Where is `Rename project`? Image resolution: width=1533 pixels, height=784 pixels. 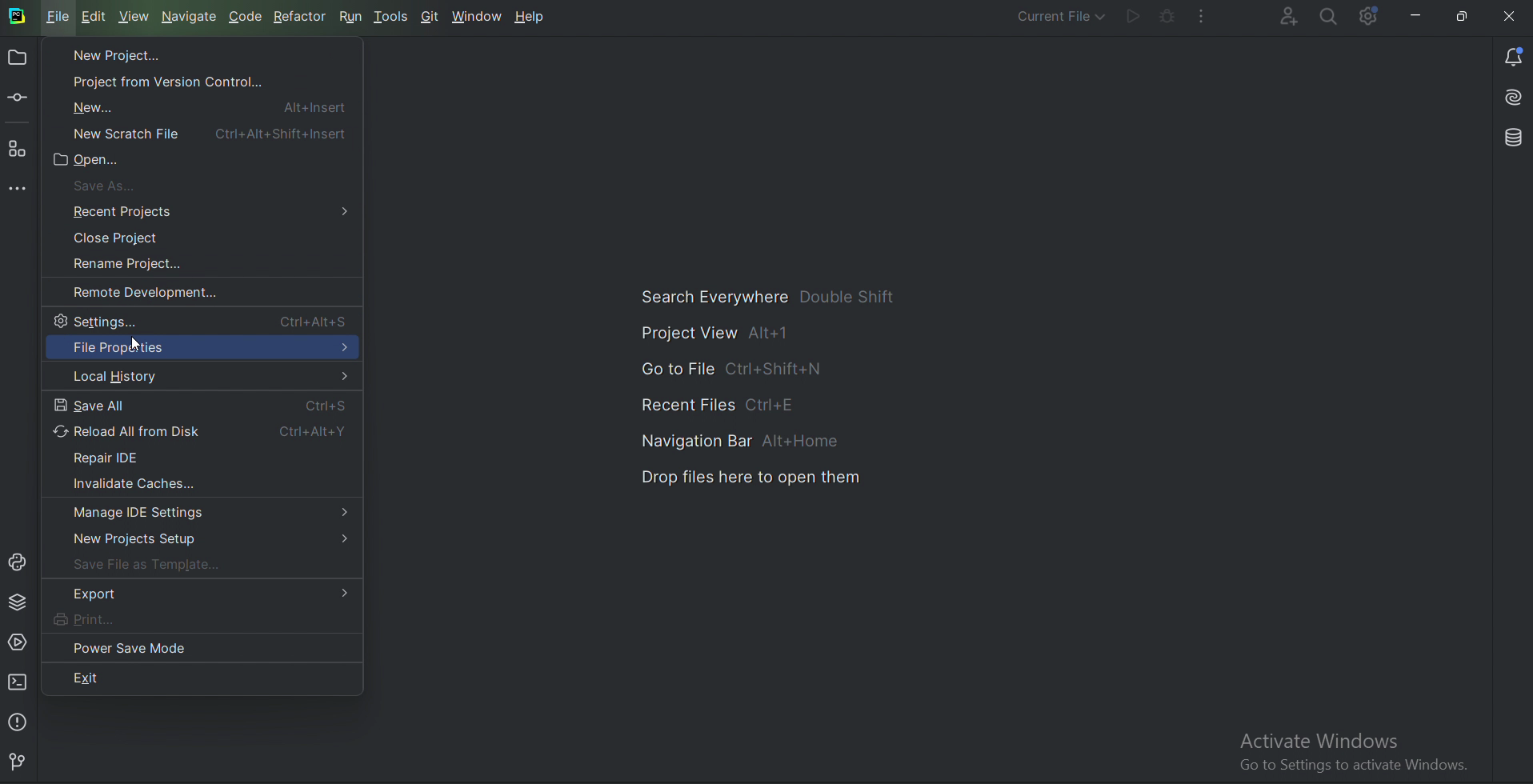
Rename project is located at coordinates (140, 265).